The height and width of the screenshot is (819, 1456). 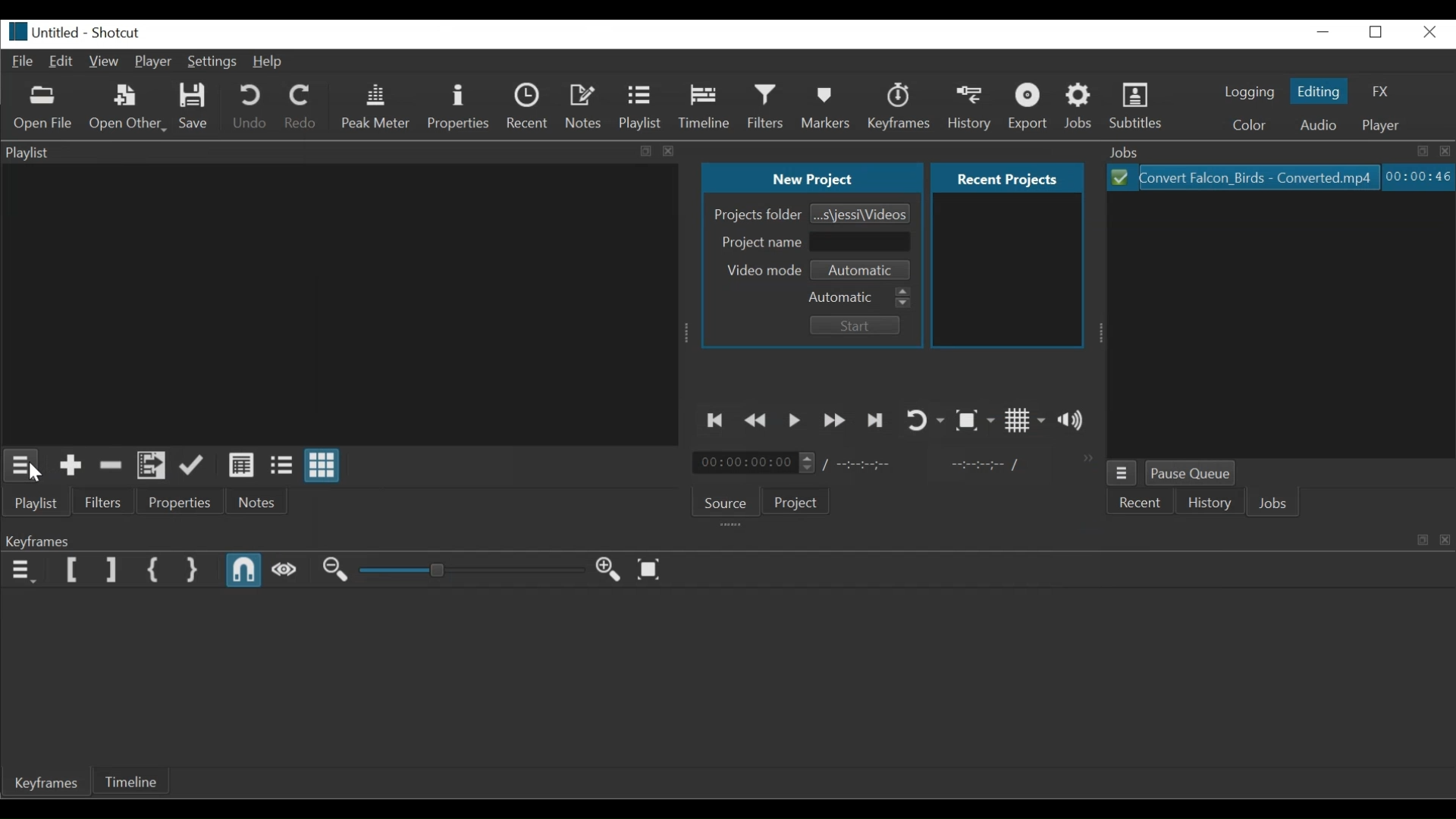 I want to click on Recent, so click(x=1141, y=500).